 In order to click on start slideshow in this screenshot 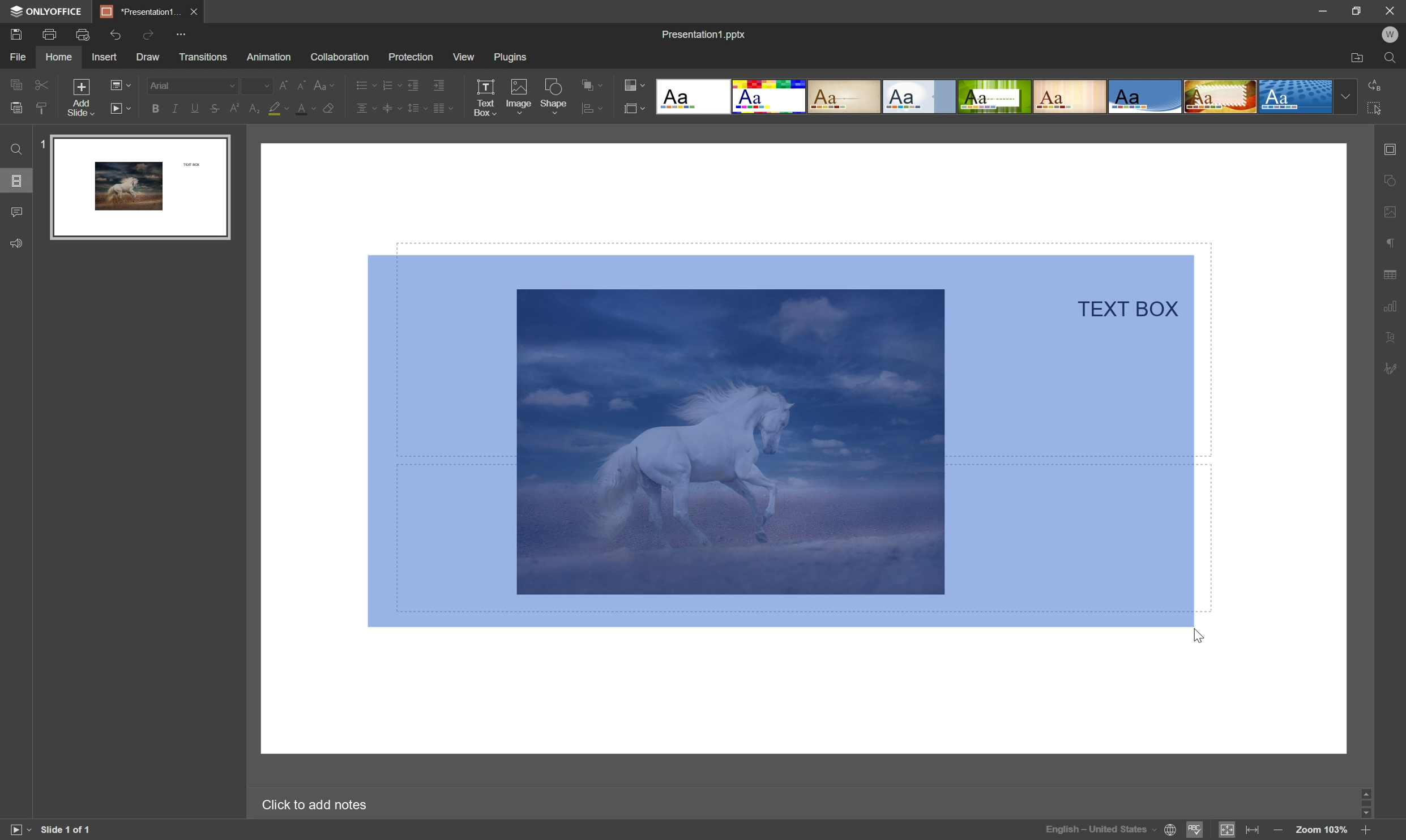, I will do `click(16, 829)`.